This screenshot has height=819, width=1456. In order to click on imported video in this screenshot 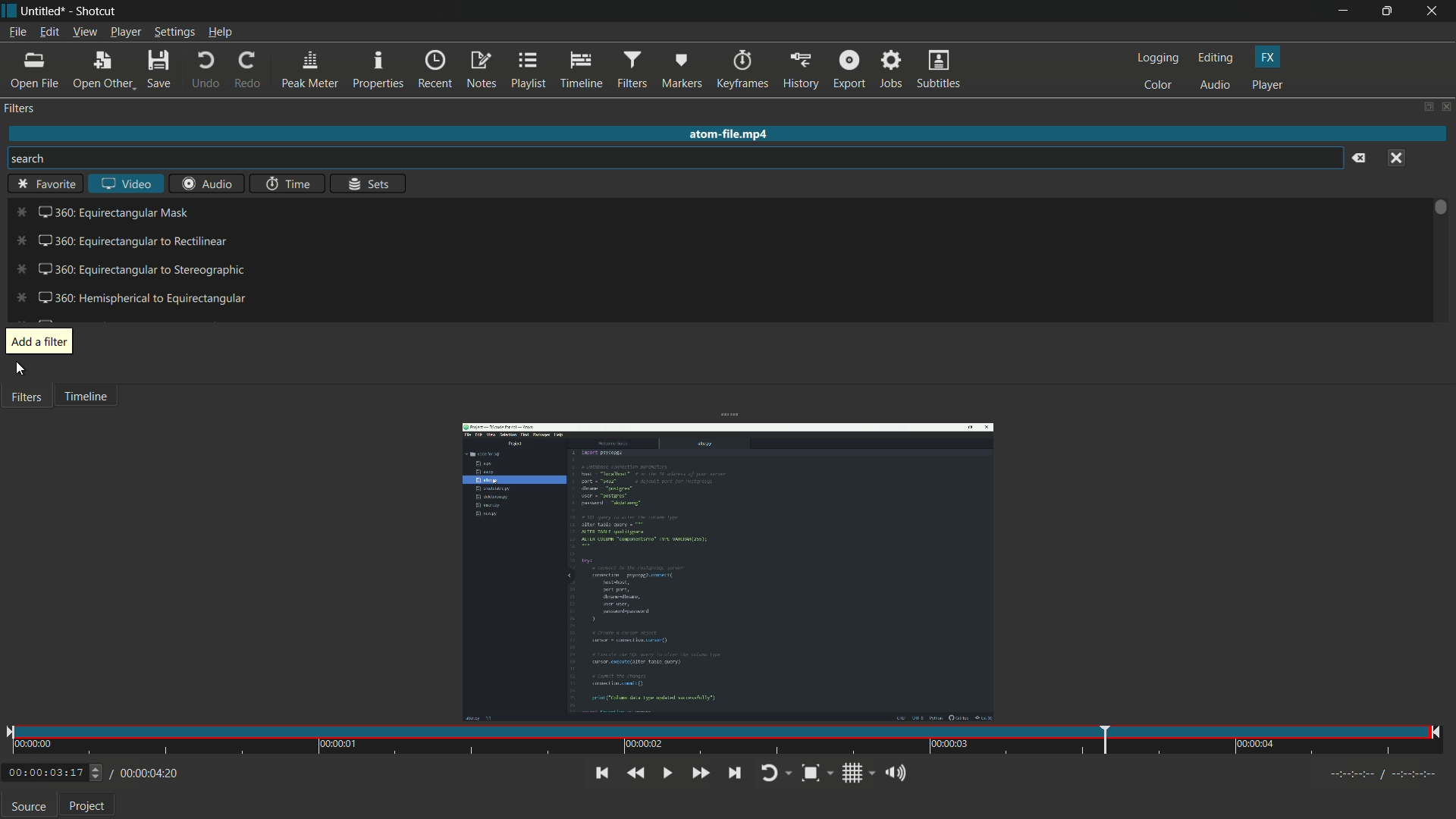, I will do `click(730, 572)`.